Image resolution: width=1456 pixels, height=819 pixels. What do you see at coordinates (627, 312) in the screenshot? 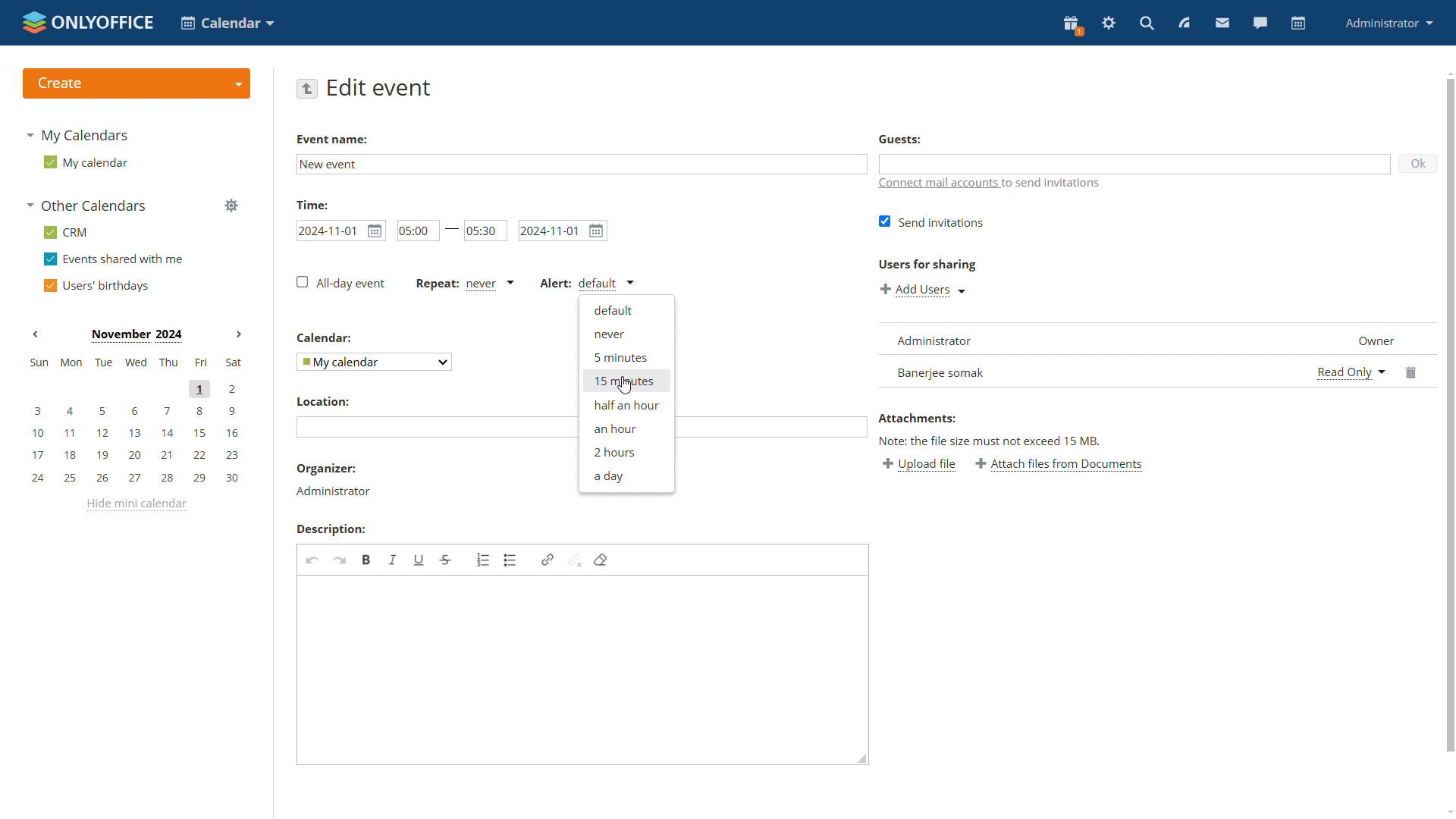
I see `default` at bounding box center [627, 312].